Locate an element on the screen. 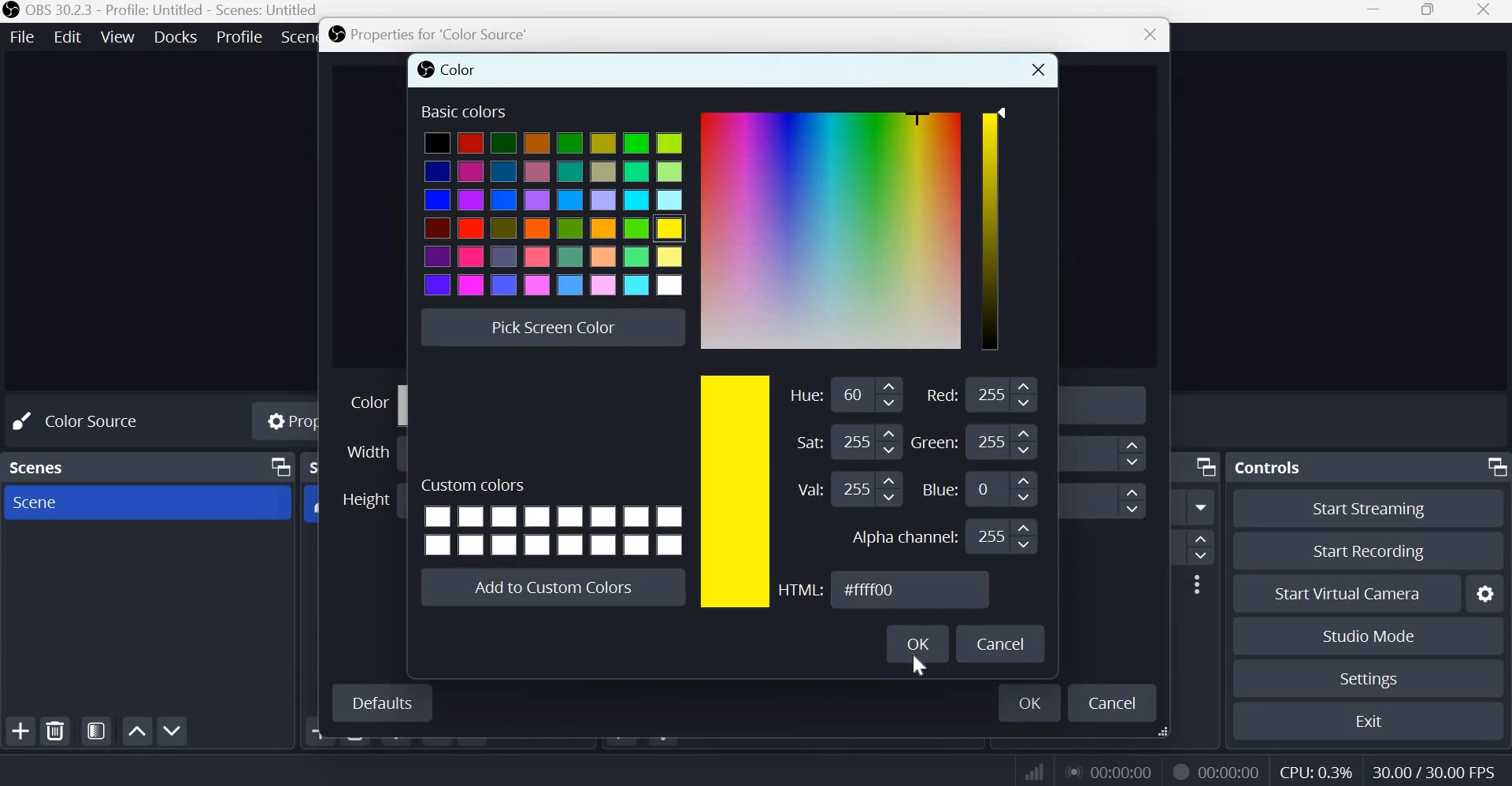 The height and width of the screenshot is (786, 1512). add scene is located at coordinates (20, 731).